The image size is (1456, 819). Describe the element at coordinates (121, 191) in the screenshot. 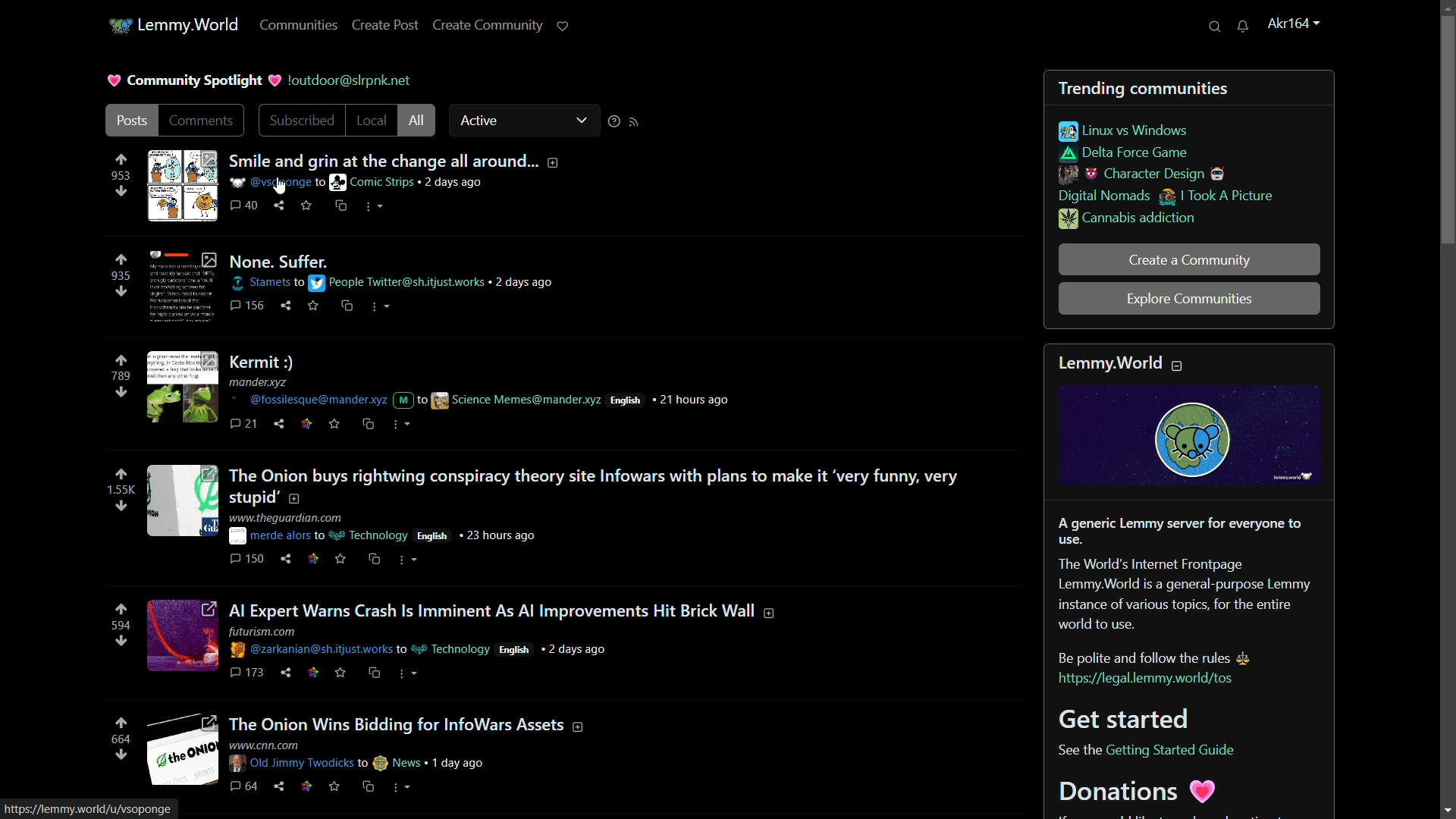

I see `downvote` at that location.